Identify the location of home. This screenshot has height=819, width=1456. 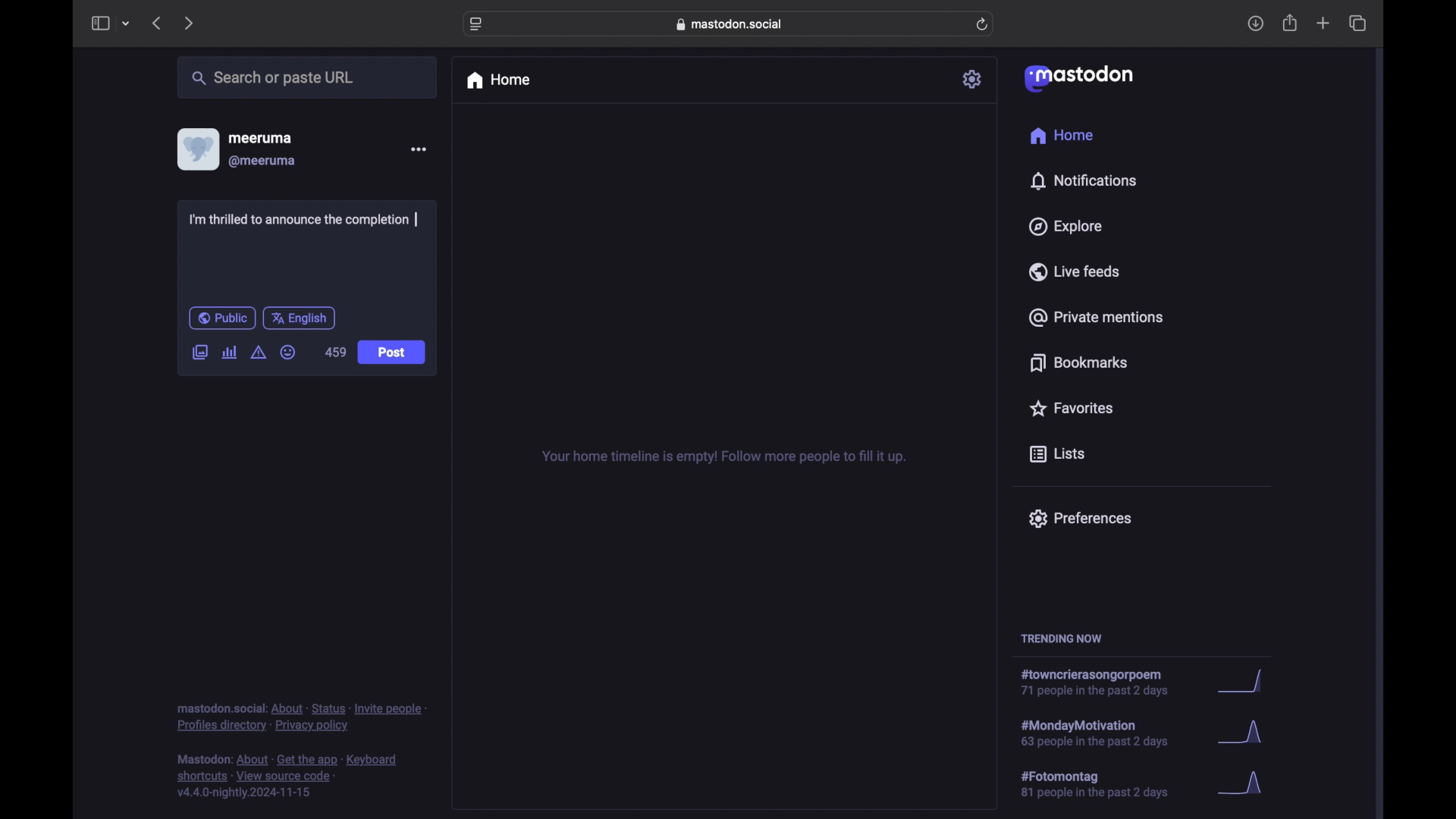
(497, 80).